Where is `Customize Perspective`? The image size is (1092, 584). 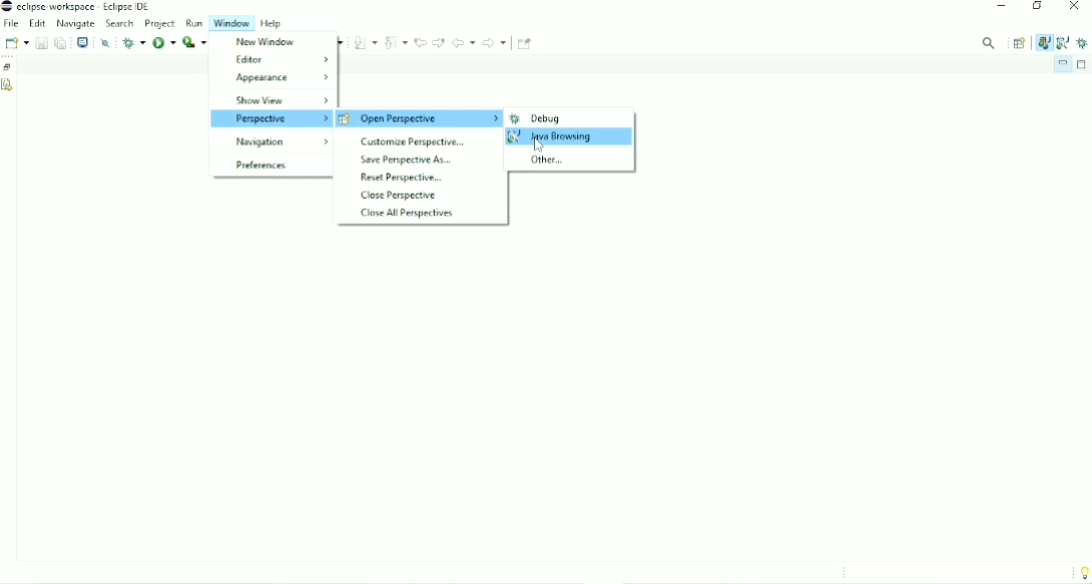
Customize Perspective is located at coordinates (412, 142).